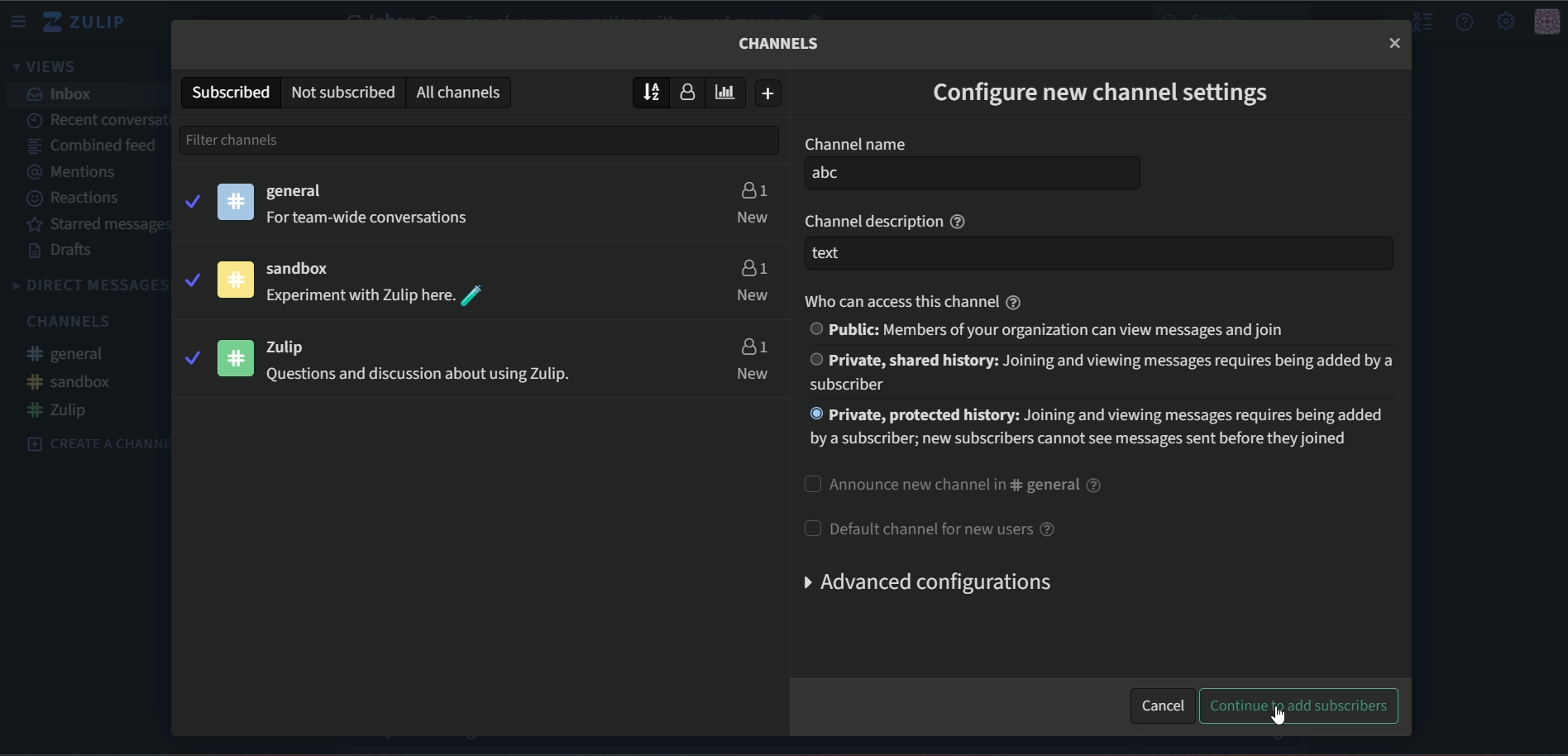 The height and width of the screenshot is (756, 1568). What do you see at coordinates (308, 270) in the screenshot?
I see `sandbox` at bounding box center [308, 270].